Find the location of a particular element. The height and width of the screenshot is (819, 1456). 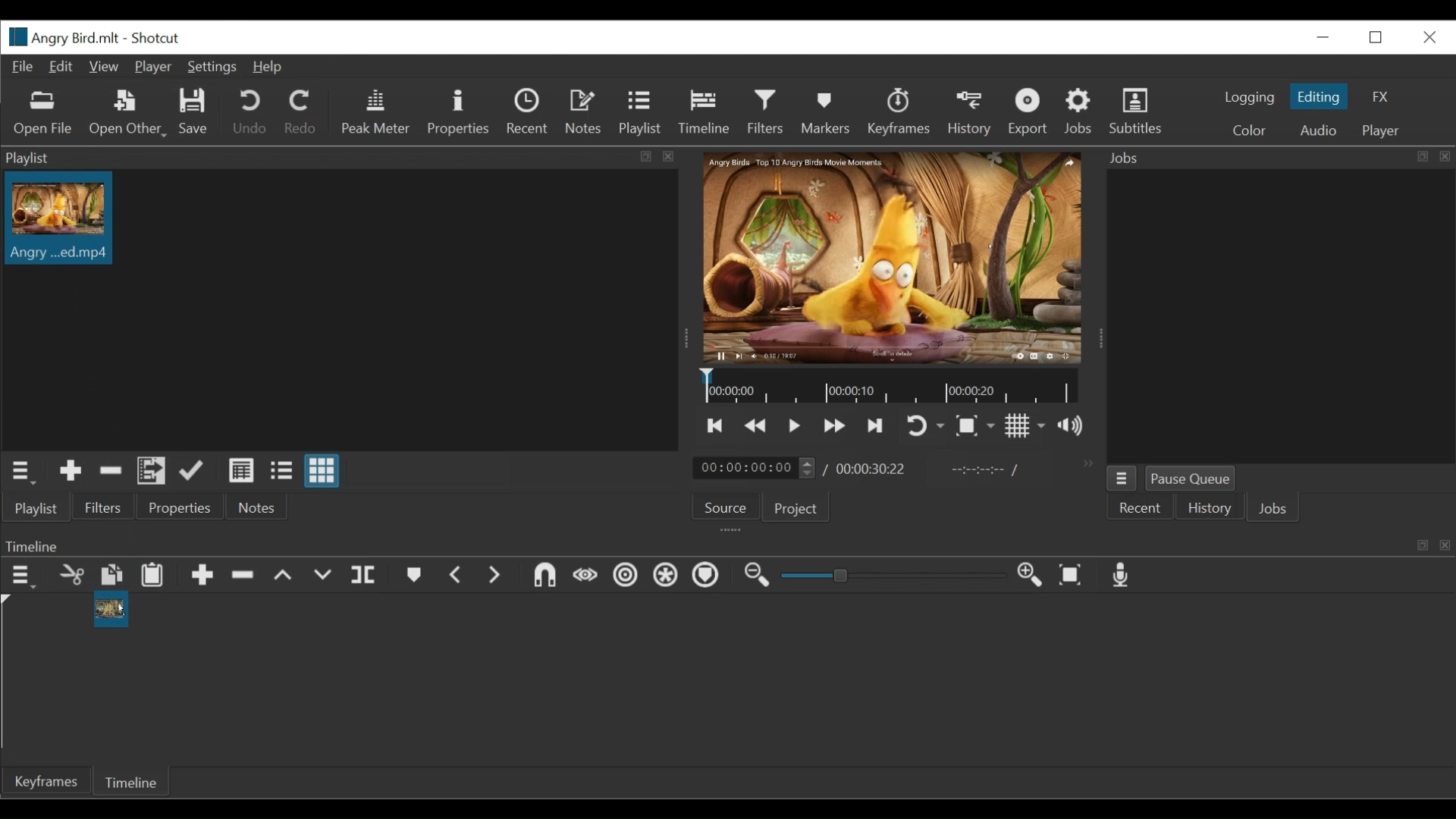

File is located at coordinates (24, 67).